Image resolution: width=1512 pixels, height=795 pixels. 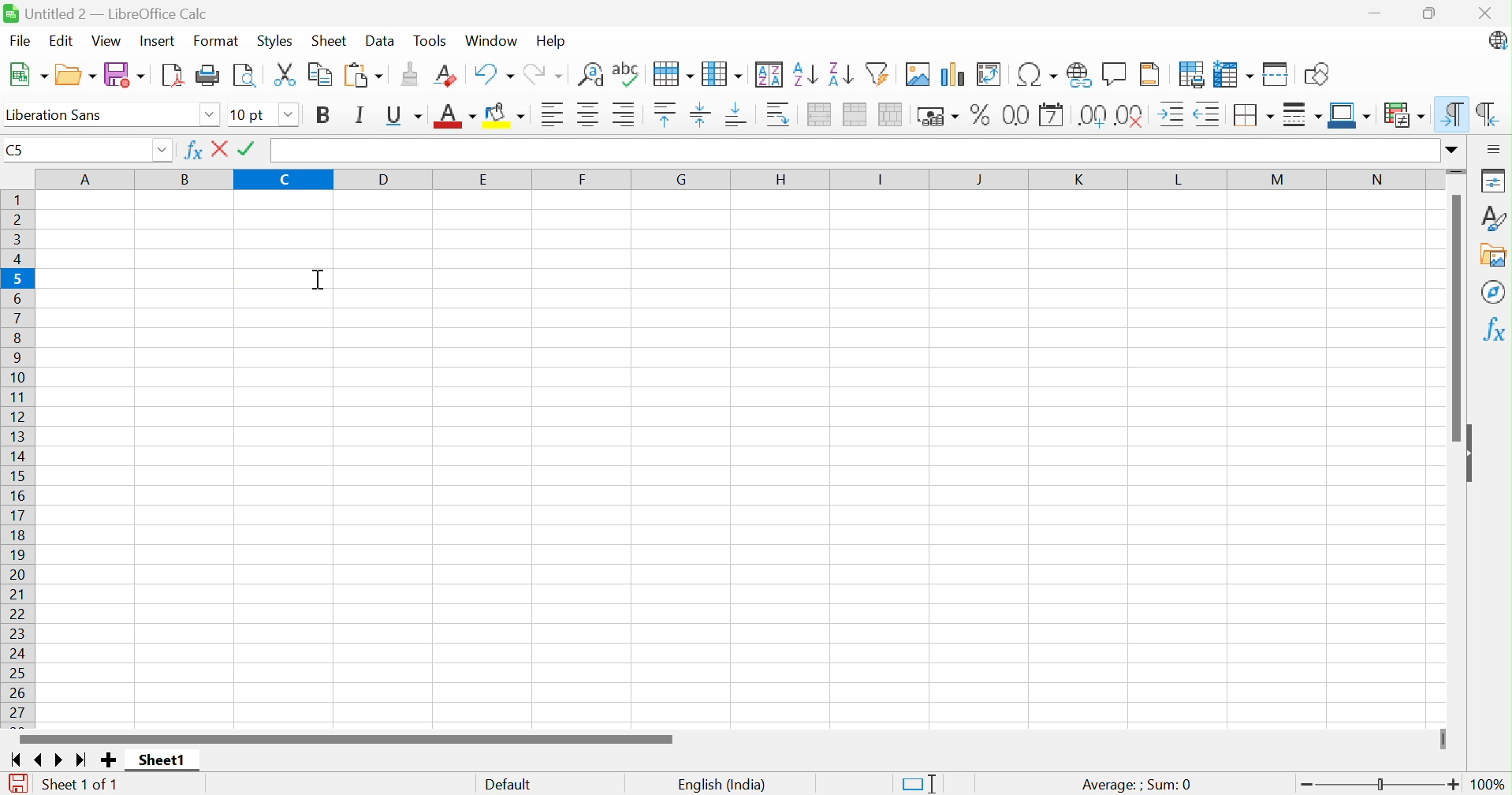 What do you see at coordinates (41, 760) in the screenshot?
I see `Scroll to previous sheet` at bounding box center [41, 760].